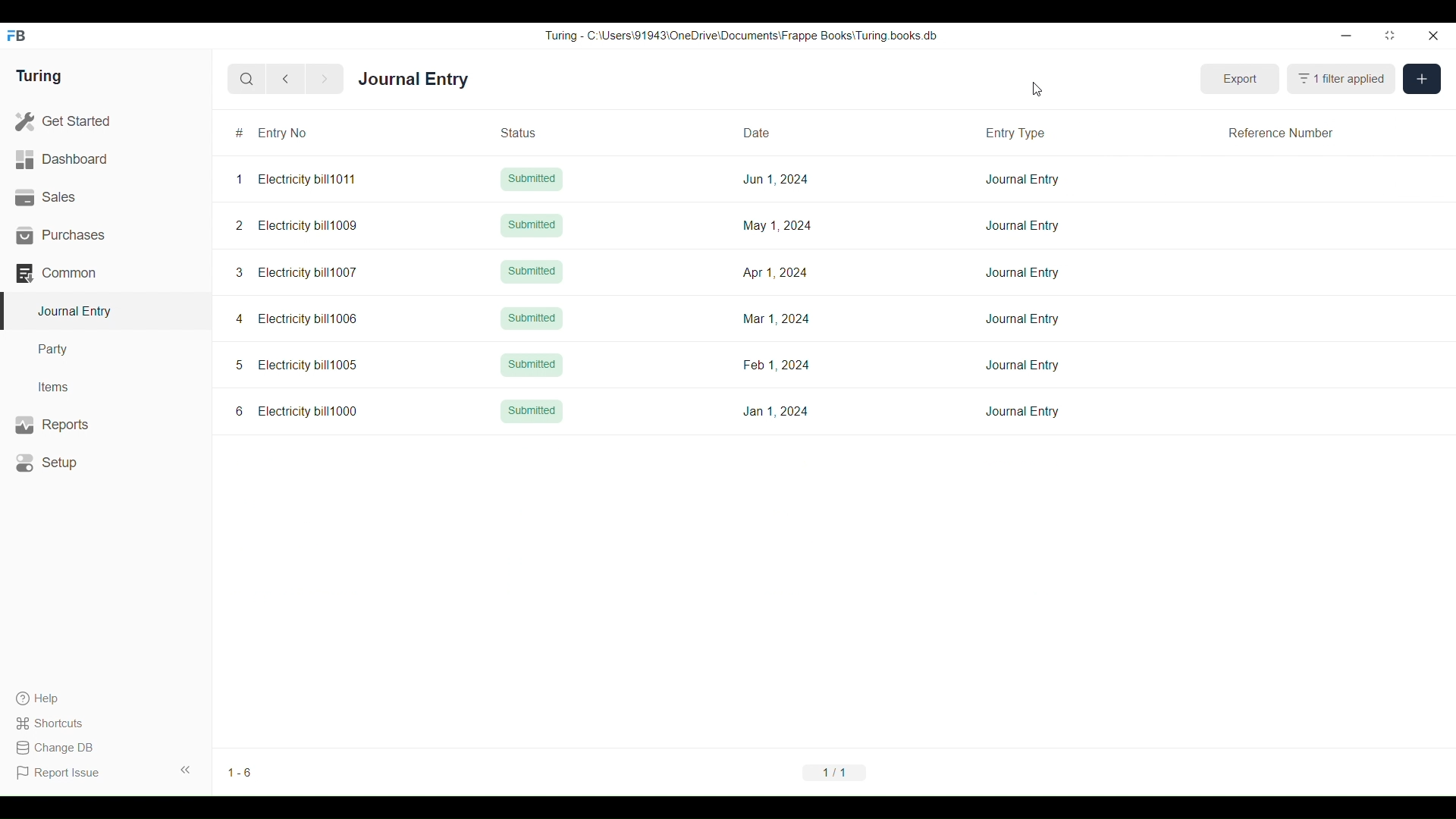  I want to click on New entry, so click(1422, 79).